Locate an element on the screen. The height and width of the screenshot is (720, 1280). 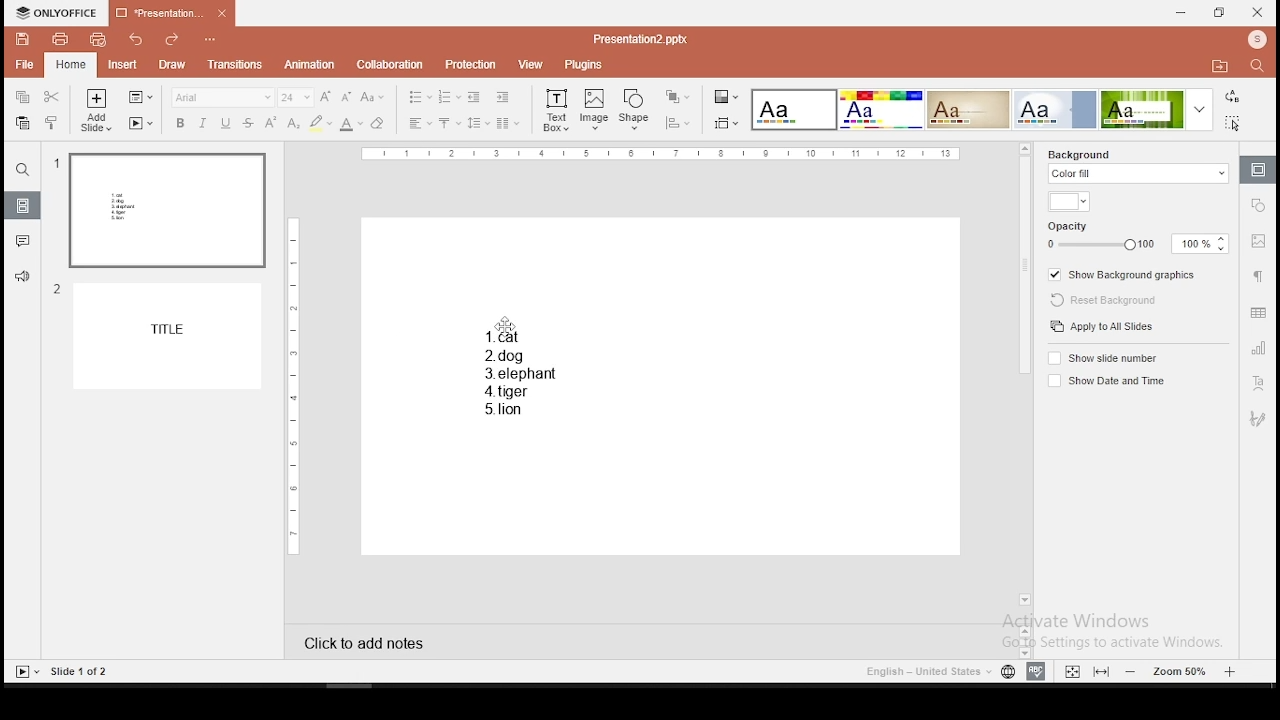
italics is located at coordinates (203, 122).